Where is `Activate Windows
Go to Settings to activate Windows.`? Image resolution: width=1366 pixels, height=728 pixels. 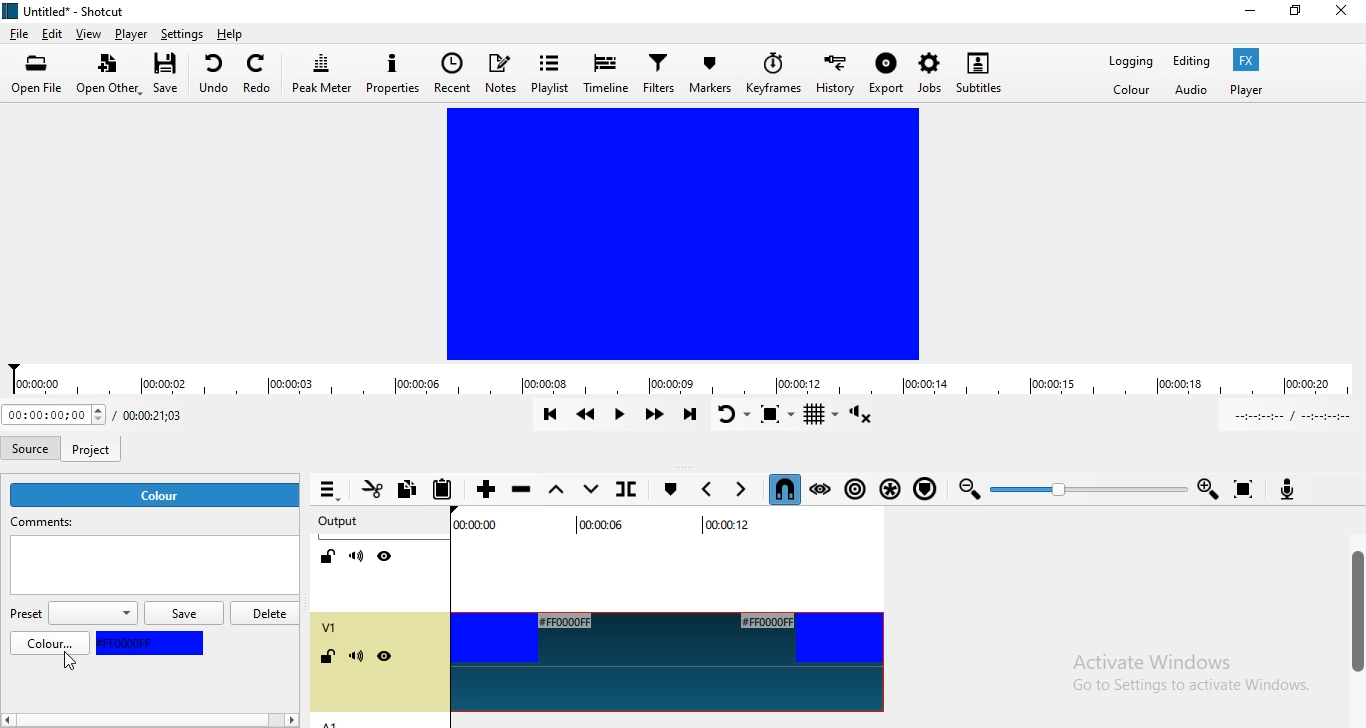
Activate Windows
Go to Settings to activate Windows. is located at coordinates (1189, 677).